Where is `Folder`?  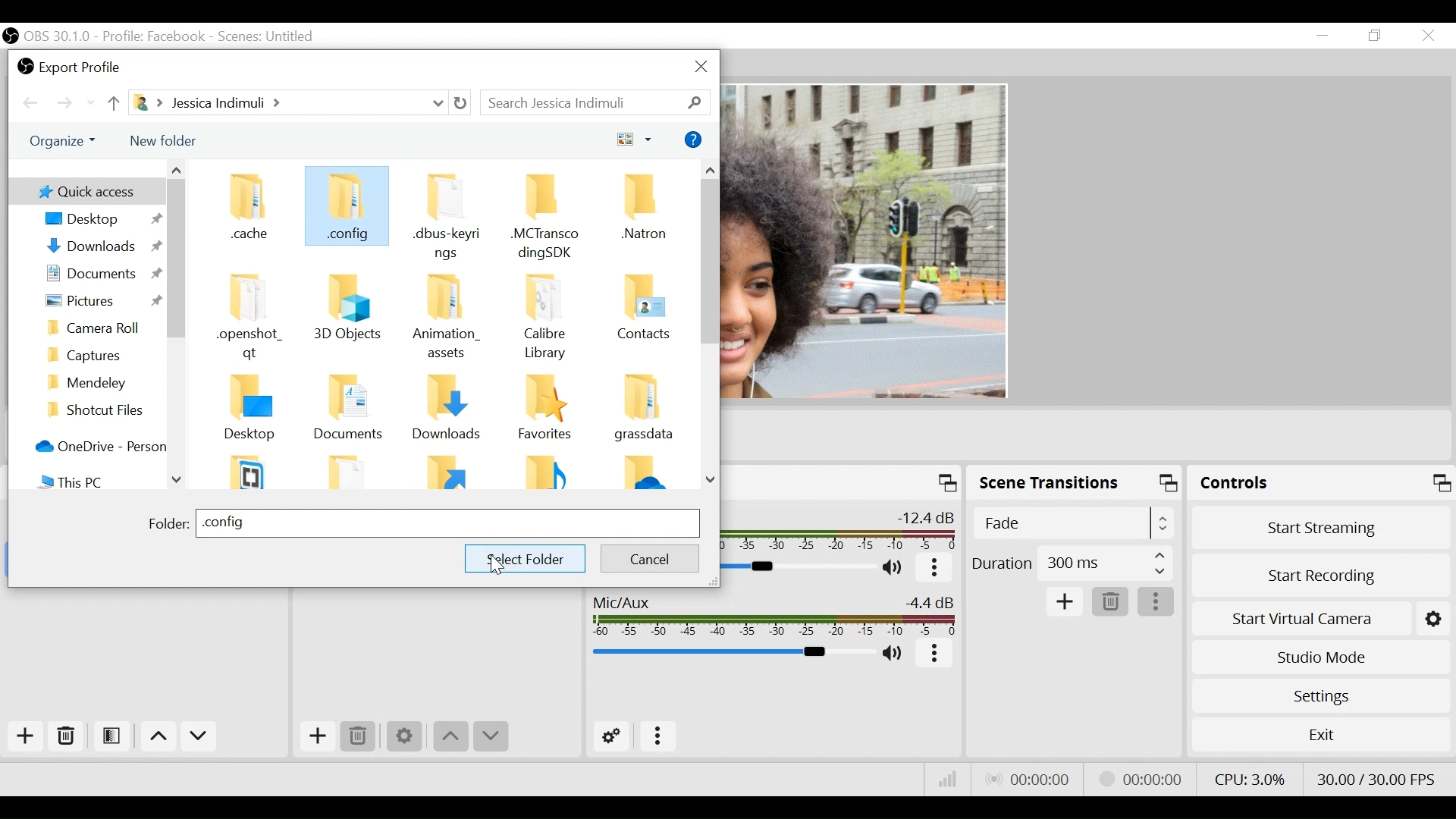 Folder is located at coordinates (544, 214).